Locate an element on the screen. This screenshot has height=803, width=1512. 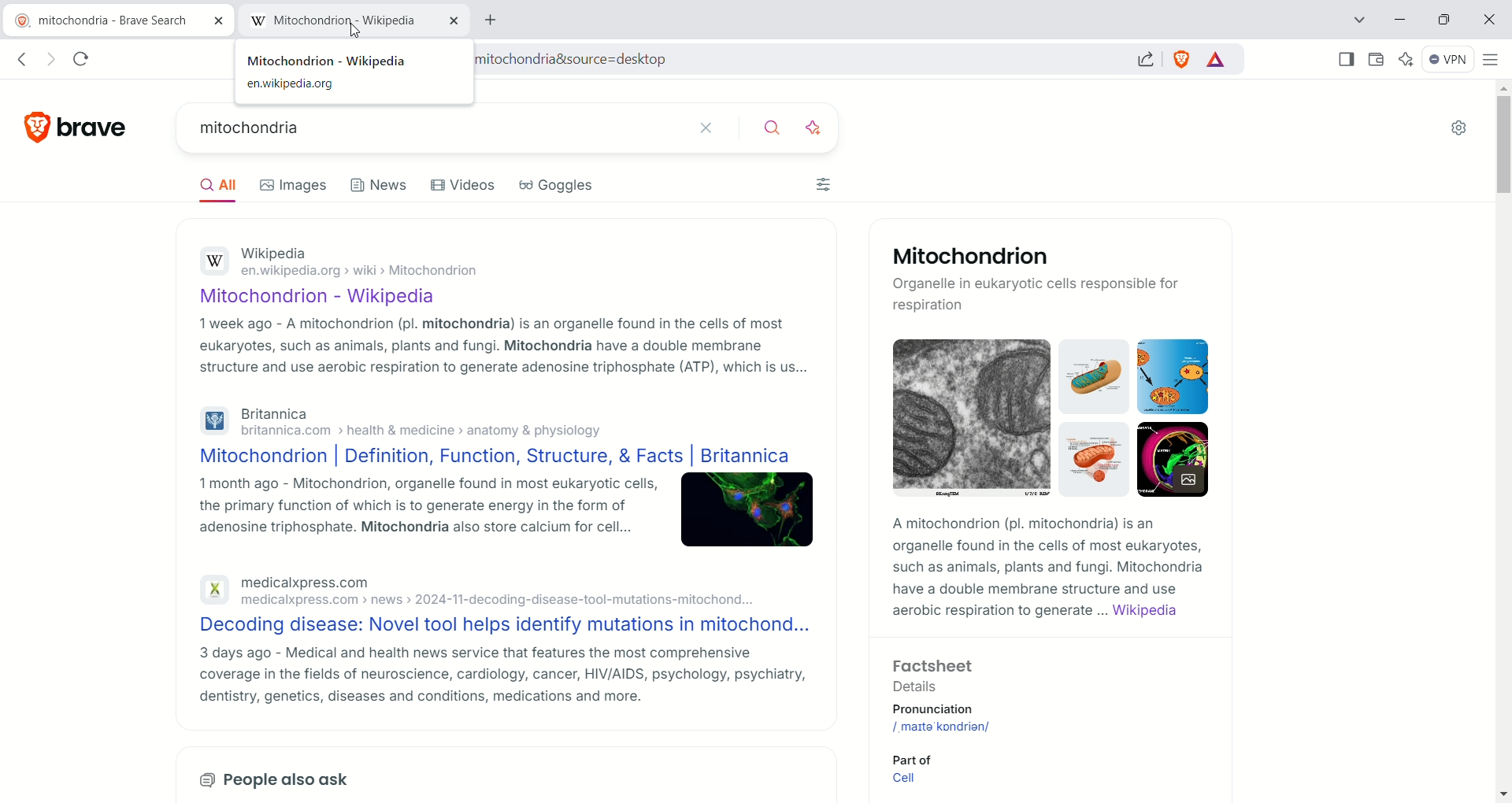
Britannica is located at coordinates (288, 411).